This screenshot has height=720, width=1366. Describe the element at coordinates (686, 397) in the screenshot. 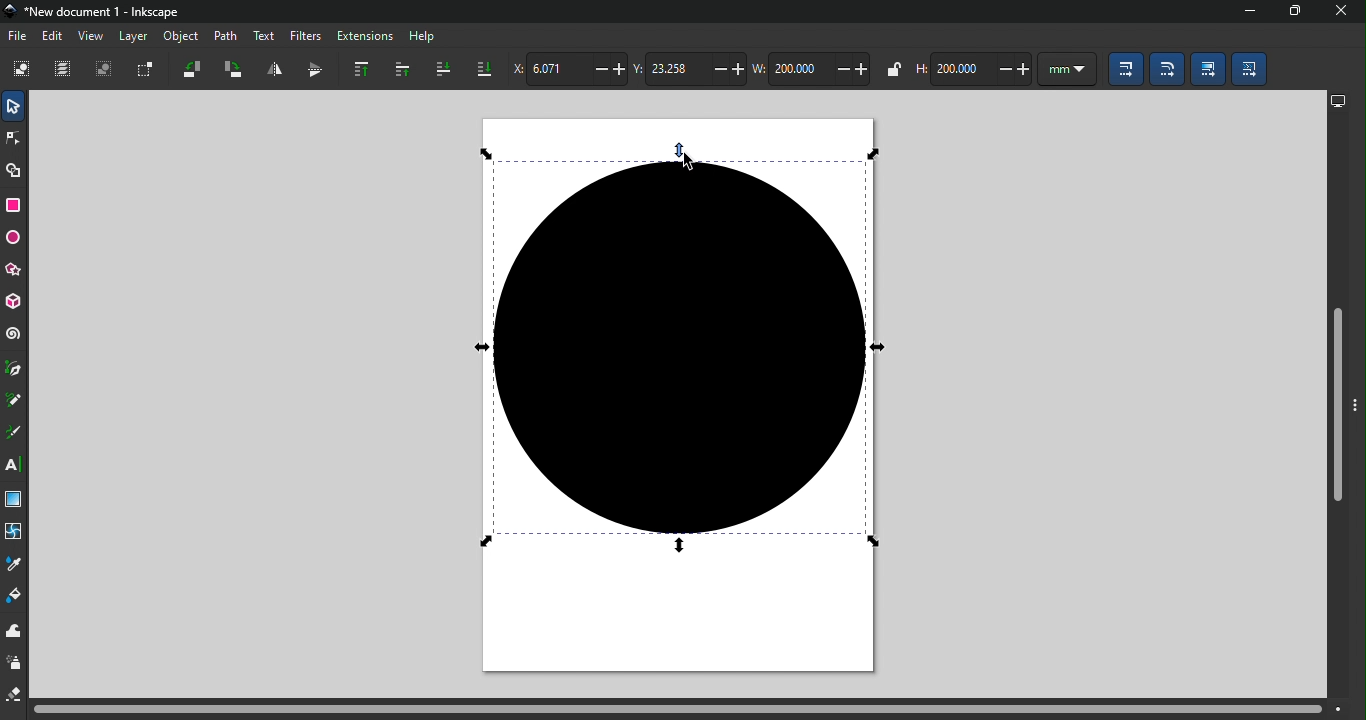

I see `Canva` at that location.